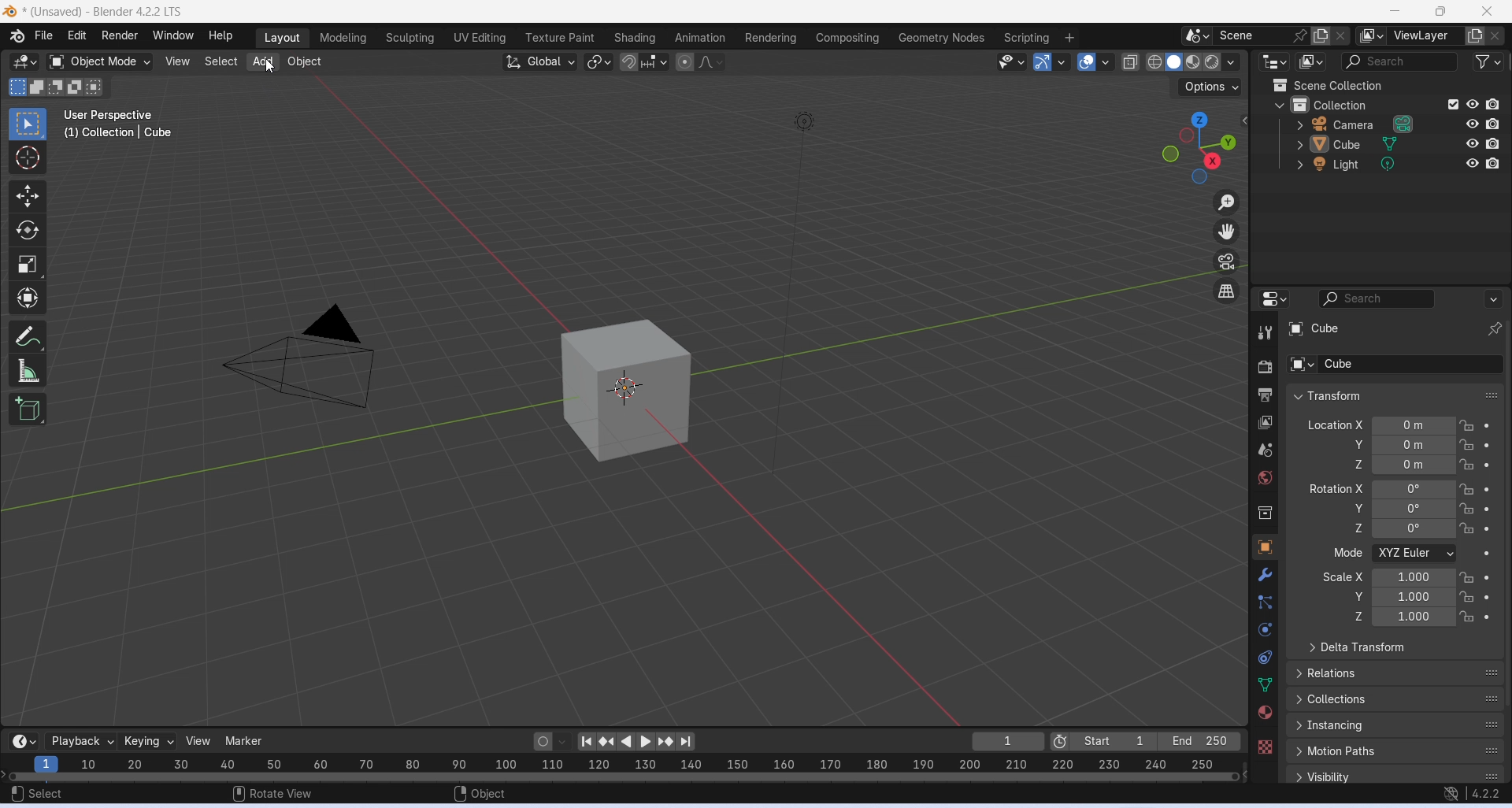 This screenshot has height=808, width=1512. I want to click on show gizmo, so click(1043, 61).